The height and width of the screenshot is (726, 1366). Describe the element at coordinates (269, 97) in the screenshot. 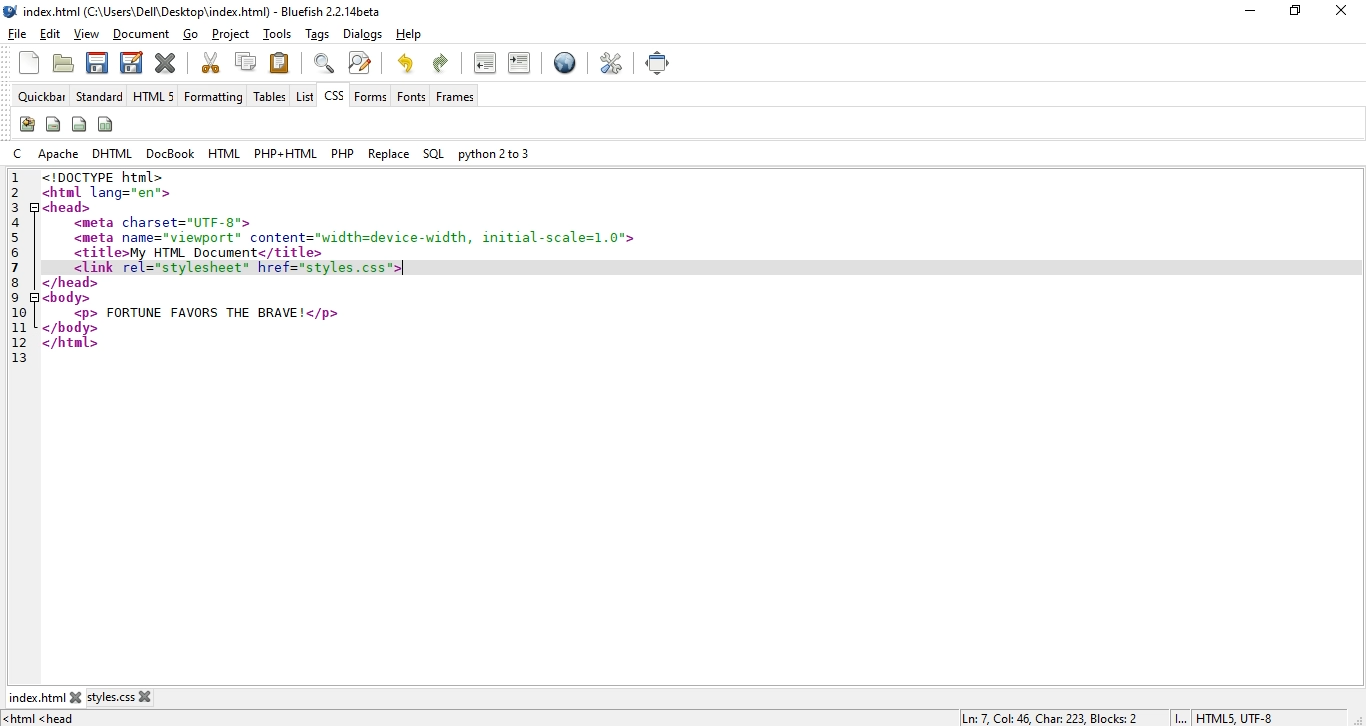

I see `tables` at that location.